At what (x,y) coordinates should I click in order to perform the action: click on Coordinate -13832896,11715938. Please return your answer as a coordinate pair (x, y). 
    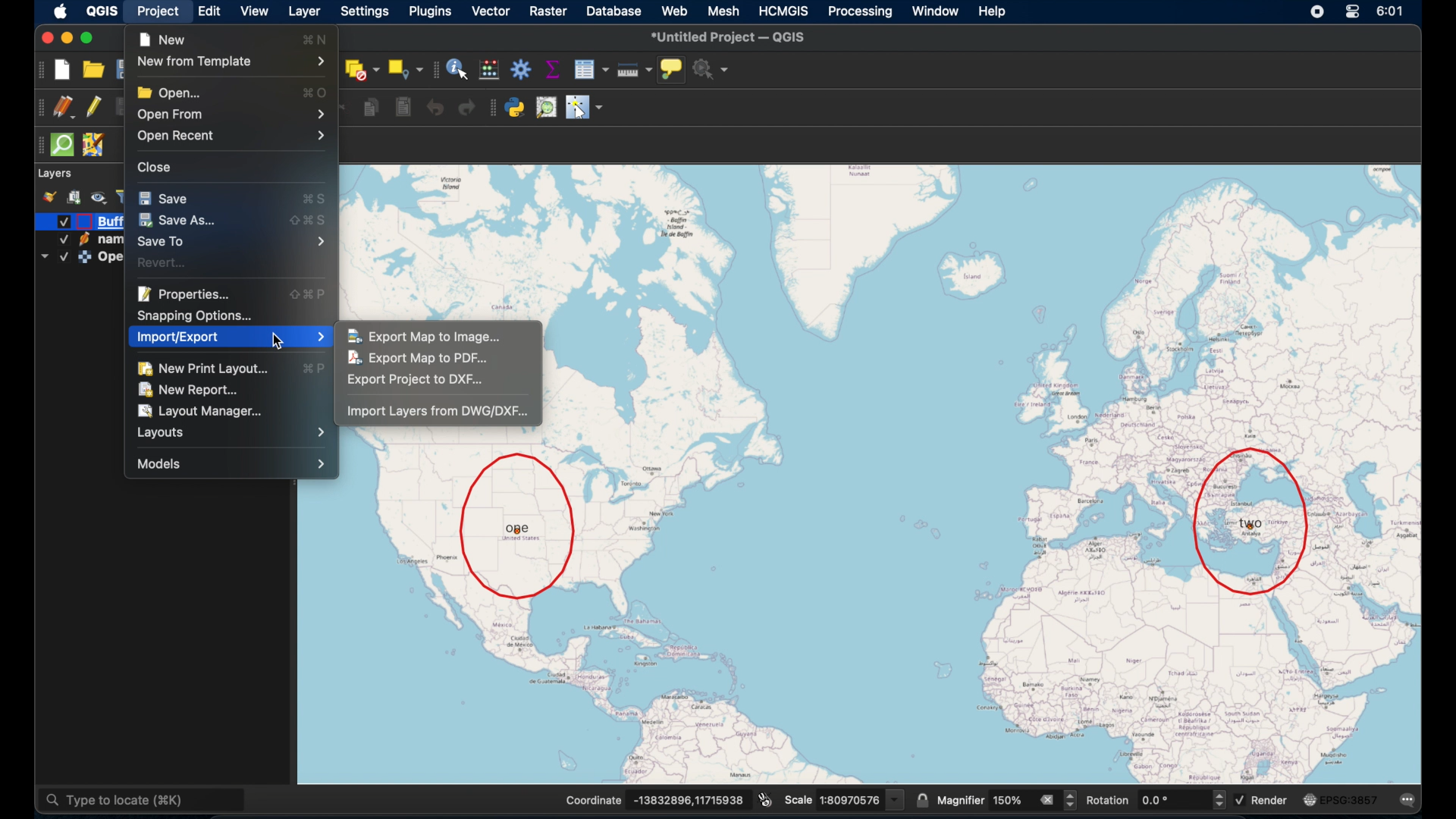
    Looking at the image, I should click on (654, 800).